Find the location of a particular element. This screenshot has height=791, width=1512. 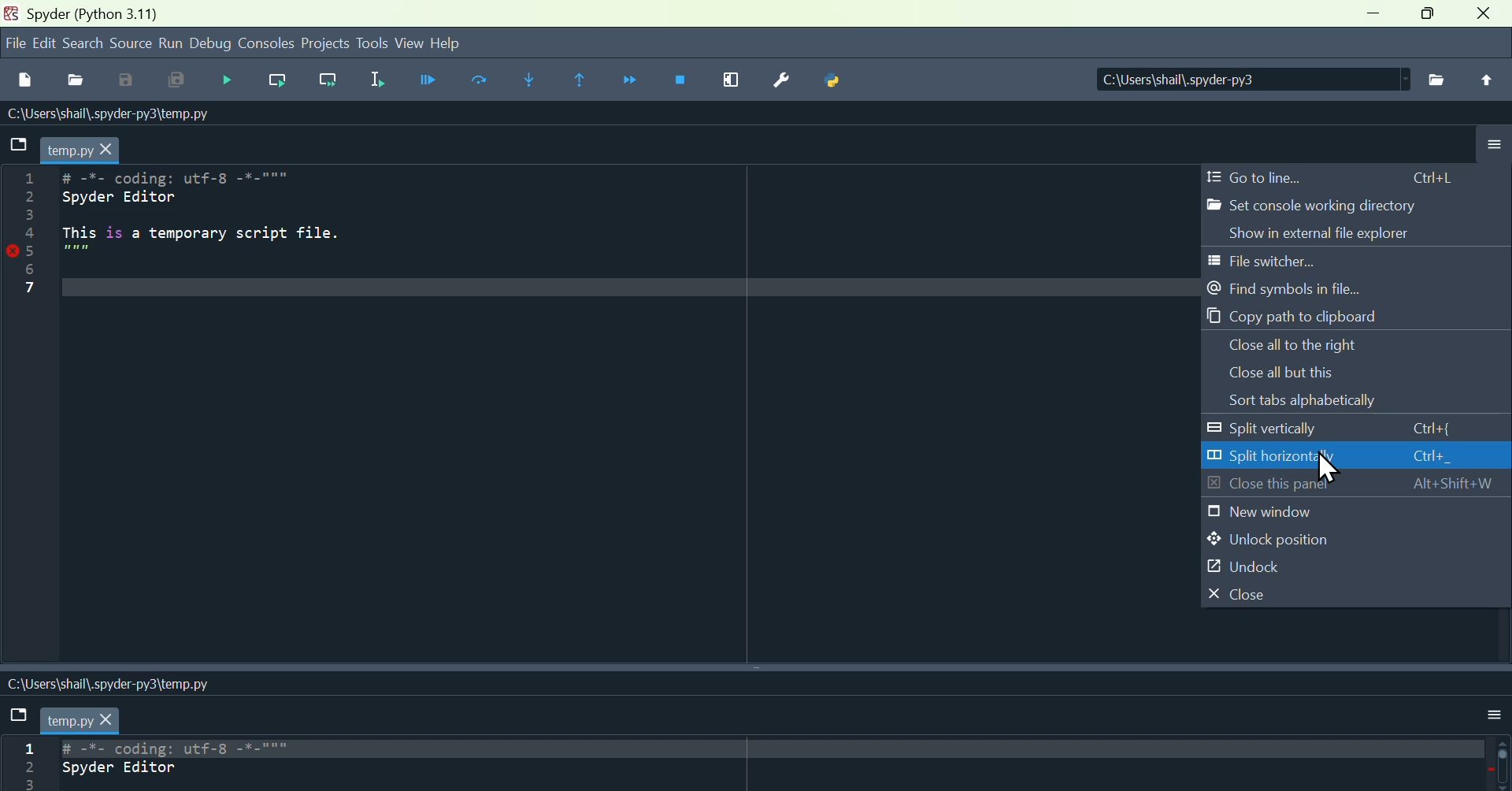

Close this panel is located at coordinates (1358, 485).